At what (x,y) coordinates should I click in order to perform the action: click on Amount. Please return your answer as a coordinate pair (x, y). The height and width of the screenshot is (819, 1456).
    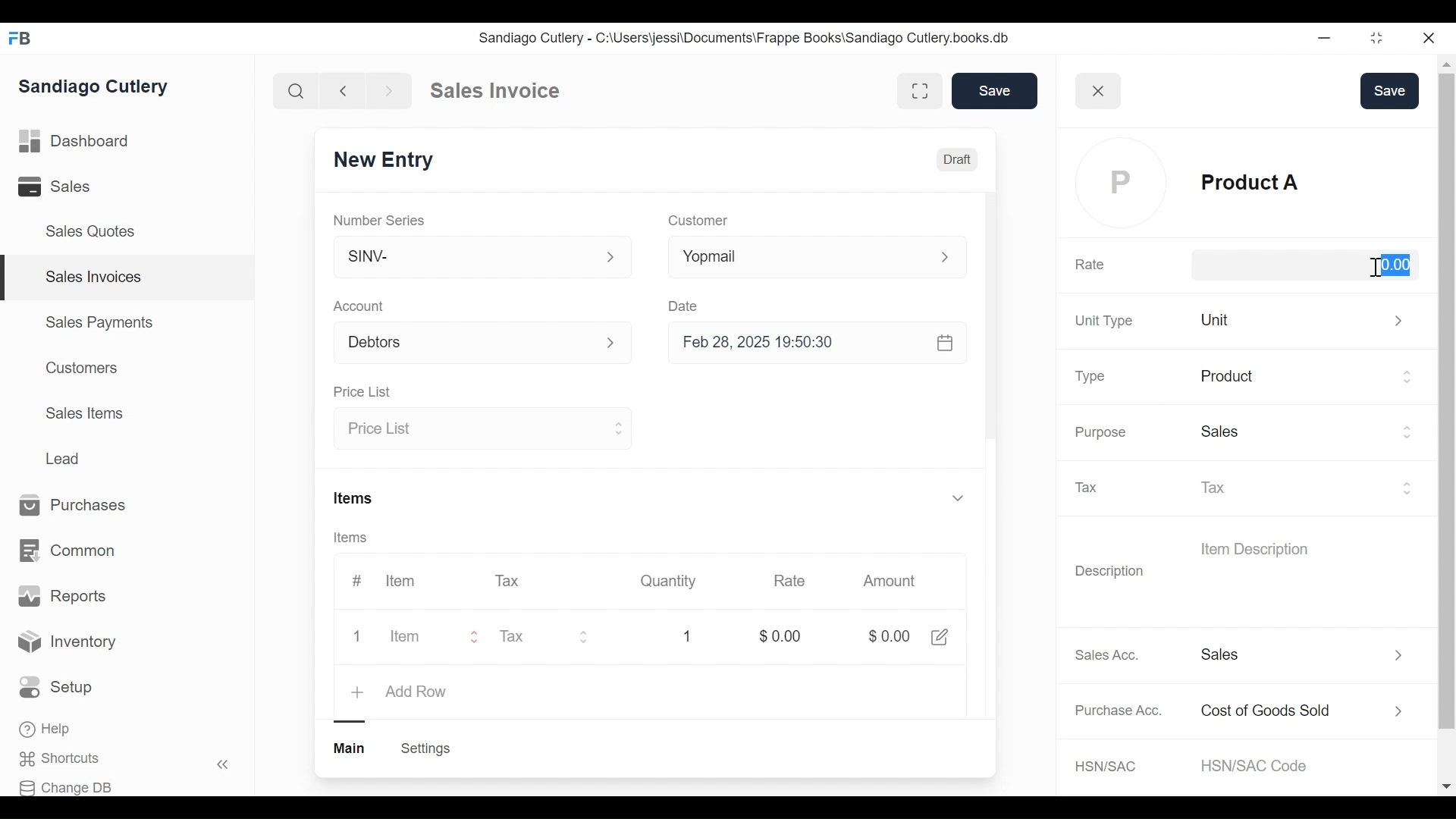
    Looking at the image, I should click on (887, 582).